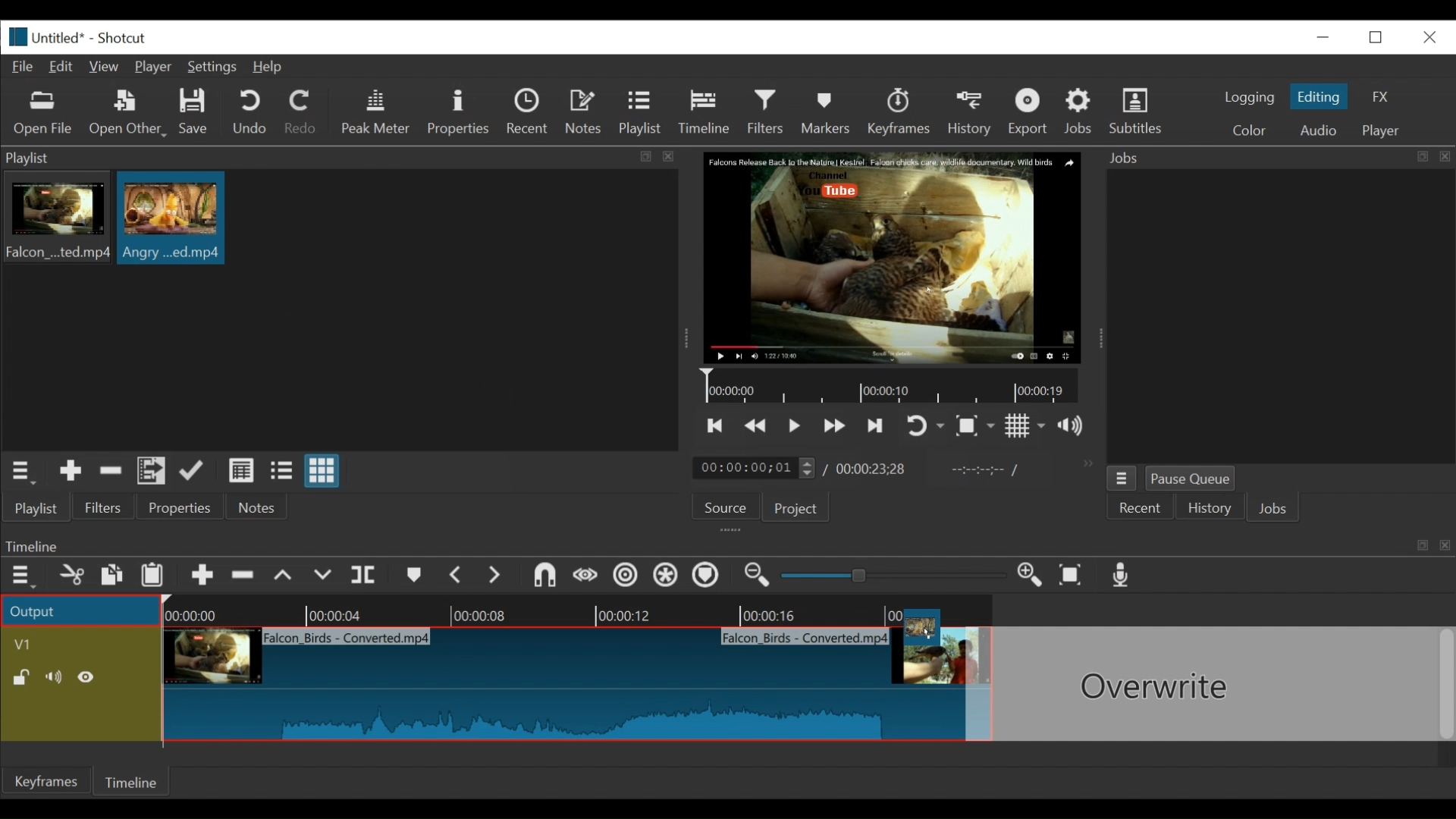 Image resolution: width=1456 pixels, height=819 pixels. Describe the element at coordinates (194, 114) in the screenshot. I see `Save` at that location.